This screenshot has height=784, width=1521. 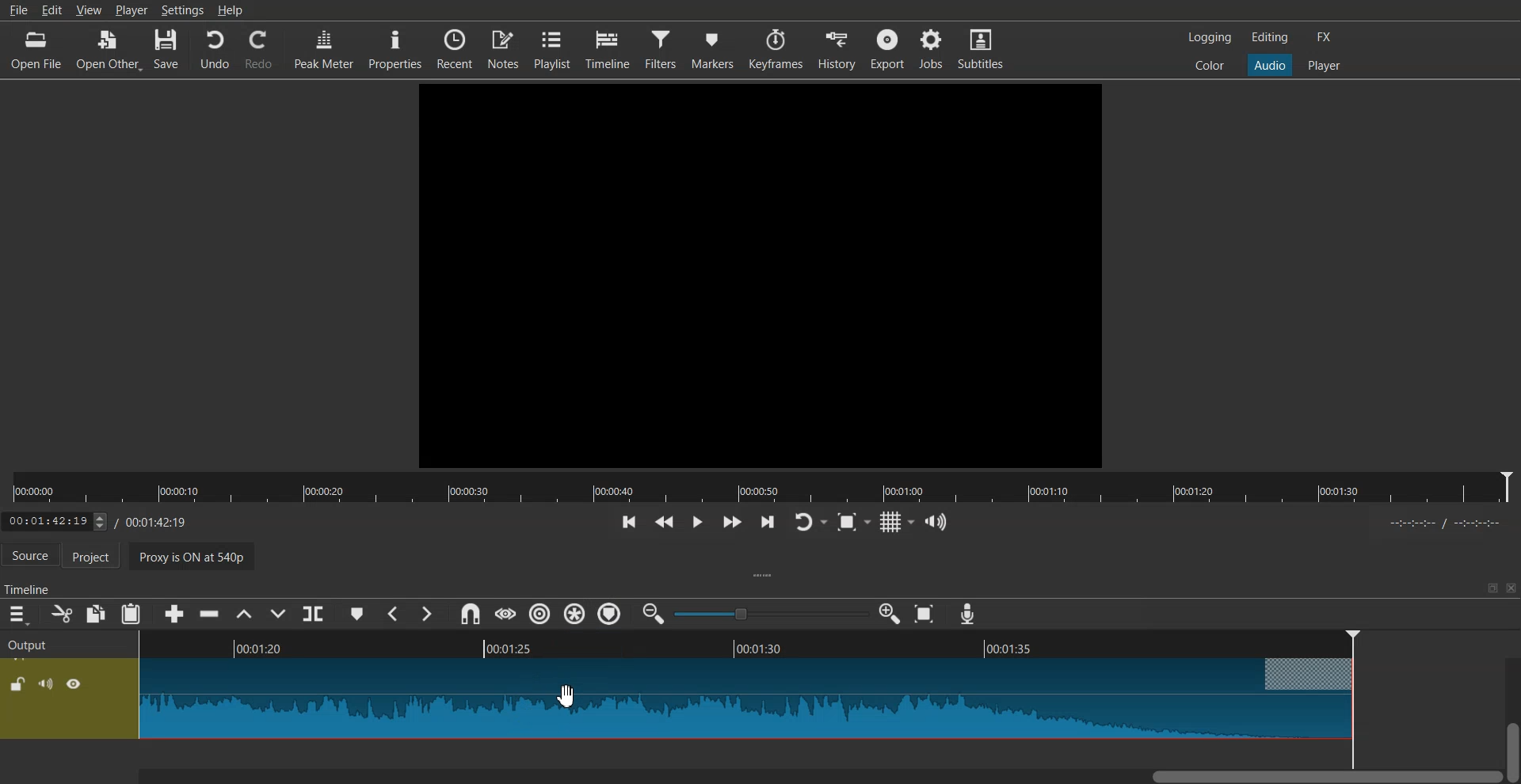 I want to click on Zoom time line out, so click(x=652, y=615).